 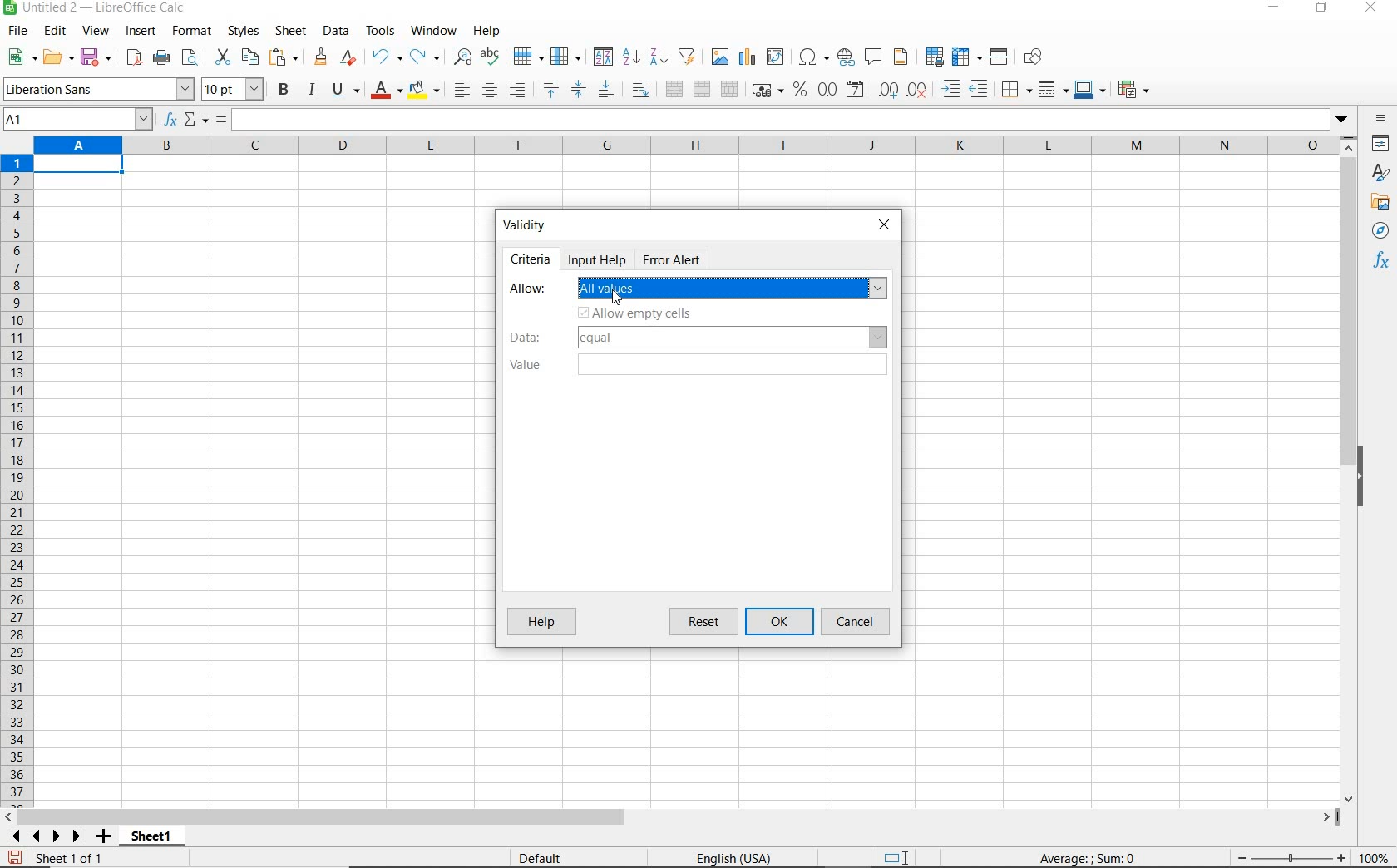 What do you see at coordinates (889, 91) in the screenshot?
I see `add decimal place` at bounding box center [889, 91].